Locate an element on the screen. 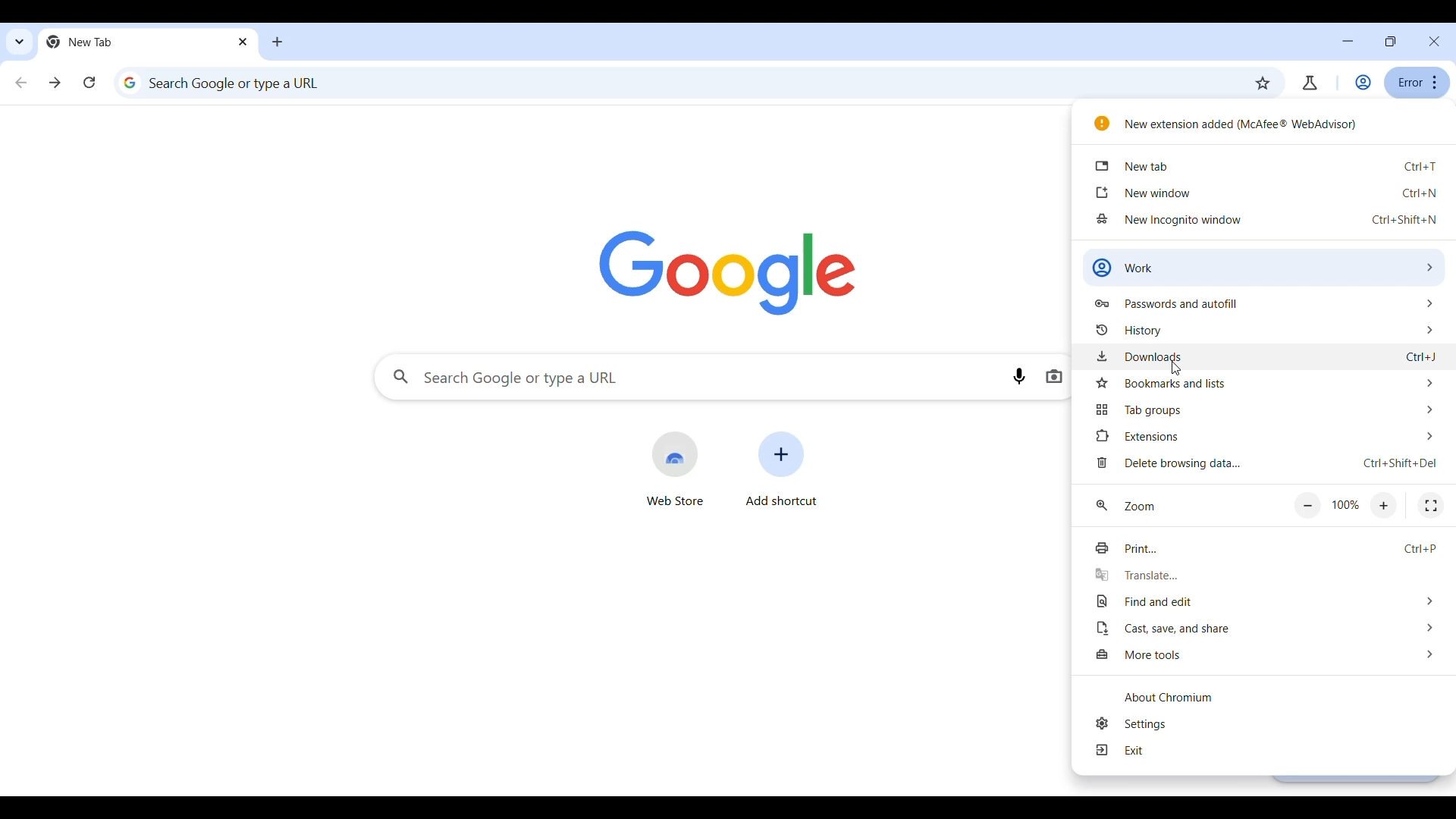 The height and width of the screenshot is (819, 1456). new tab  is located at coordinates (133, 42).